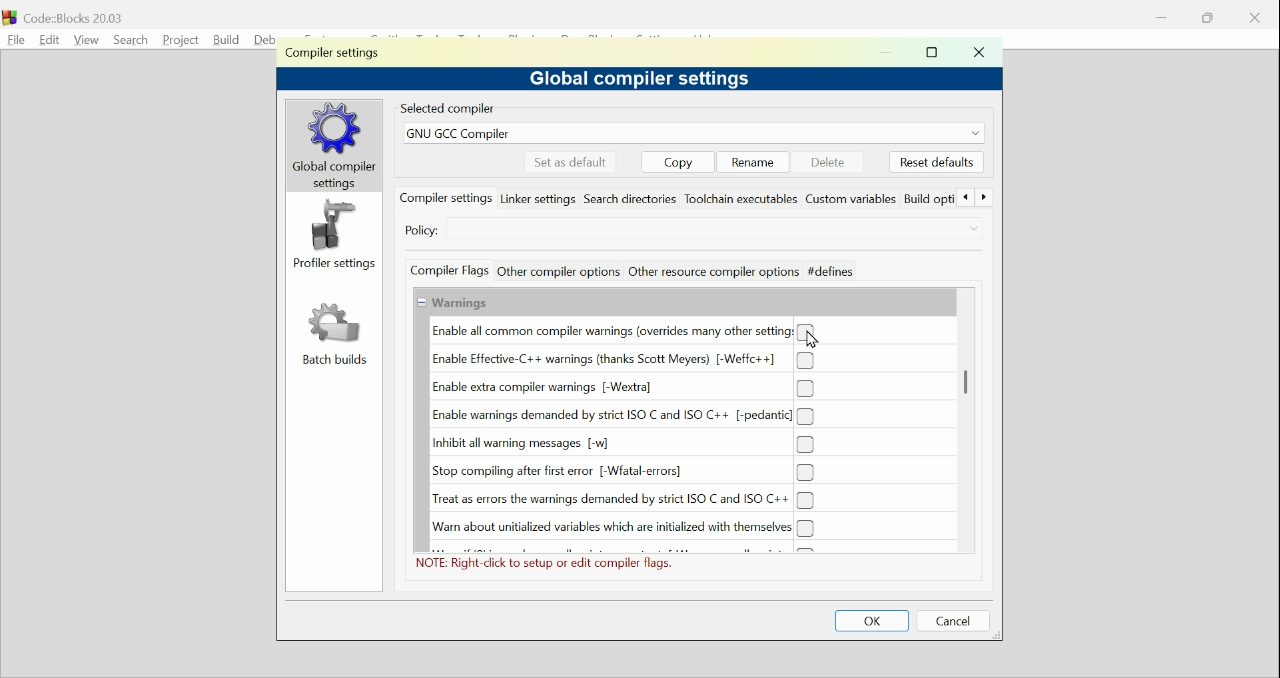 The height and width of the screenshot is (678, 1280). Describe the element at coordinates (1210, 18) in the screenshot. I see `Restore` at that location.